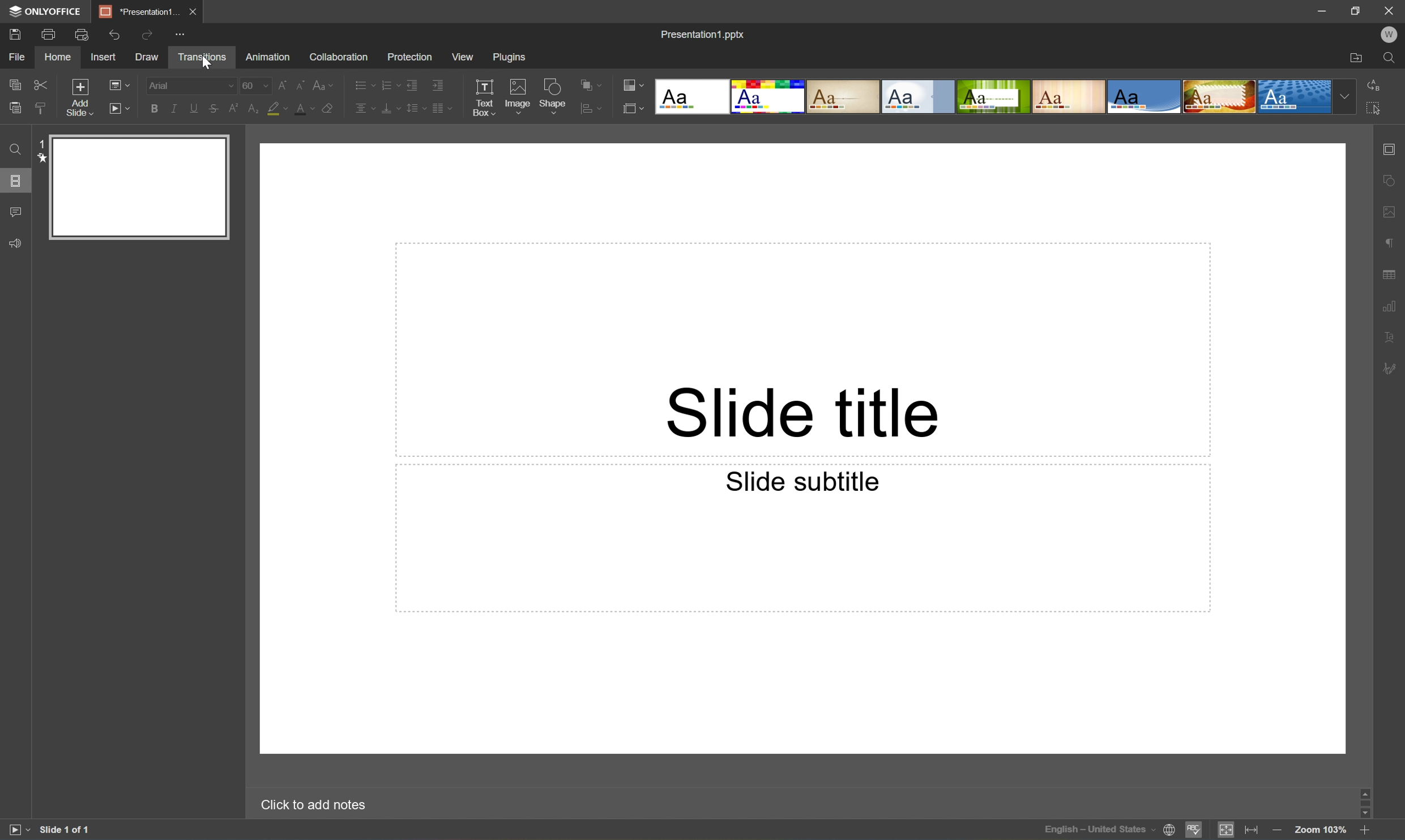 Image resolution: width=1405 pixels, height=840 pixels. What do you see at coordinates (416, 108) in the screenshot?
I see `Line spacing` at bounding box center [416, 108].